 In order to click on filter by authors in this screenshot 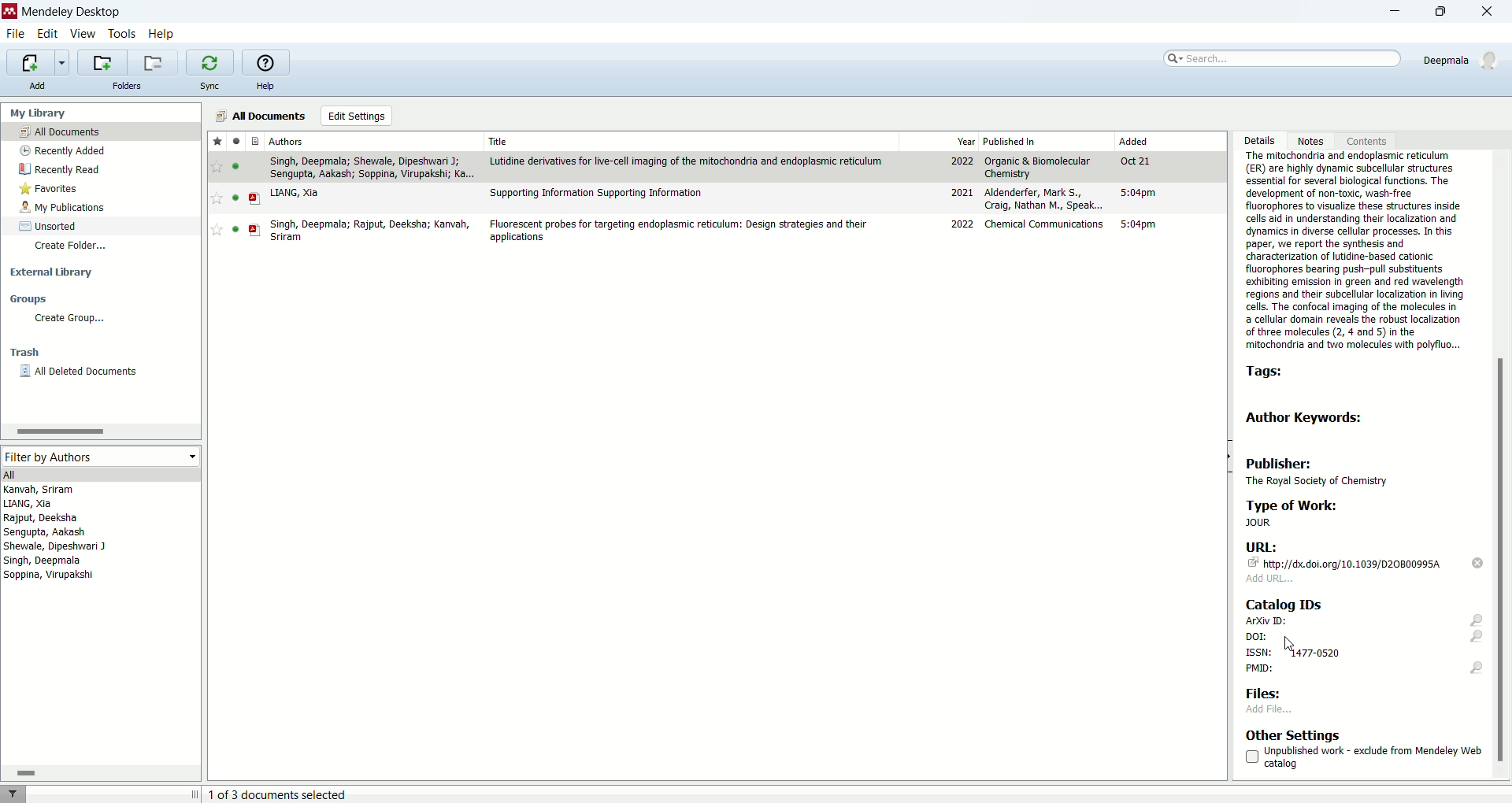, I will do `click(98, 456)`.